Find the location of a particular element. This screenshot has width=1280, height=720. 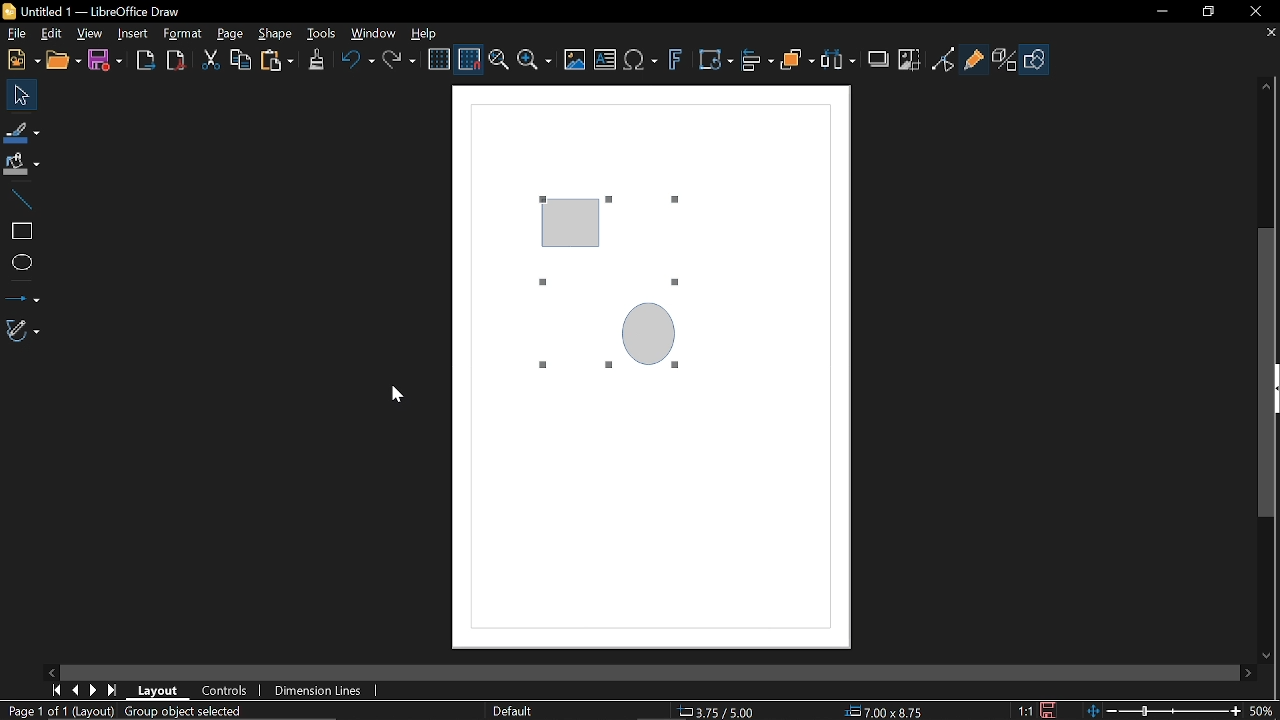

View is located at coordinates (89, 34).